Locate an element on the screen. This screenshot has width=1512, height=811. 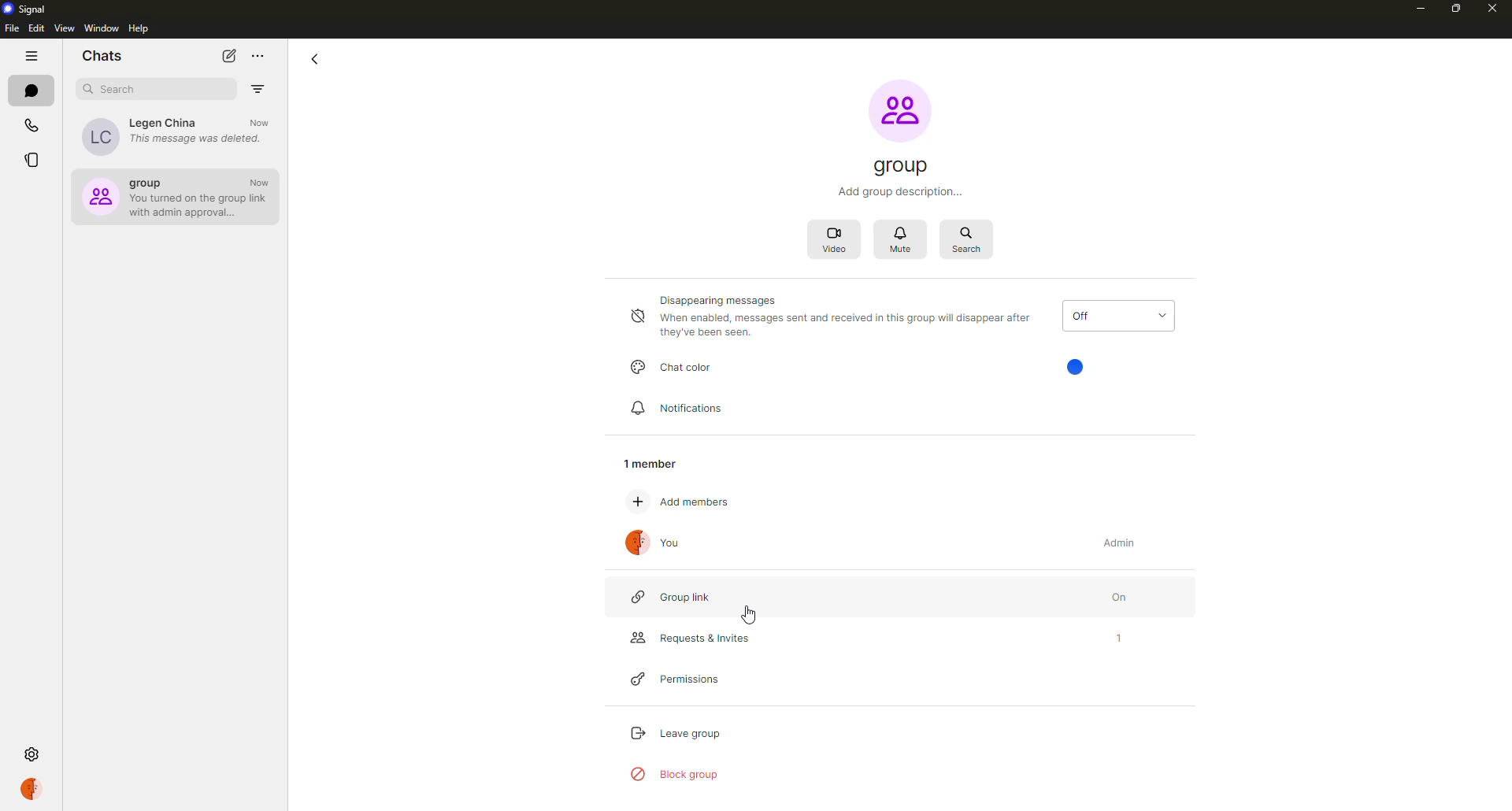
chat color is located at coordinates (676, 365).